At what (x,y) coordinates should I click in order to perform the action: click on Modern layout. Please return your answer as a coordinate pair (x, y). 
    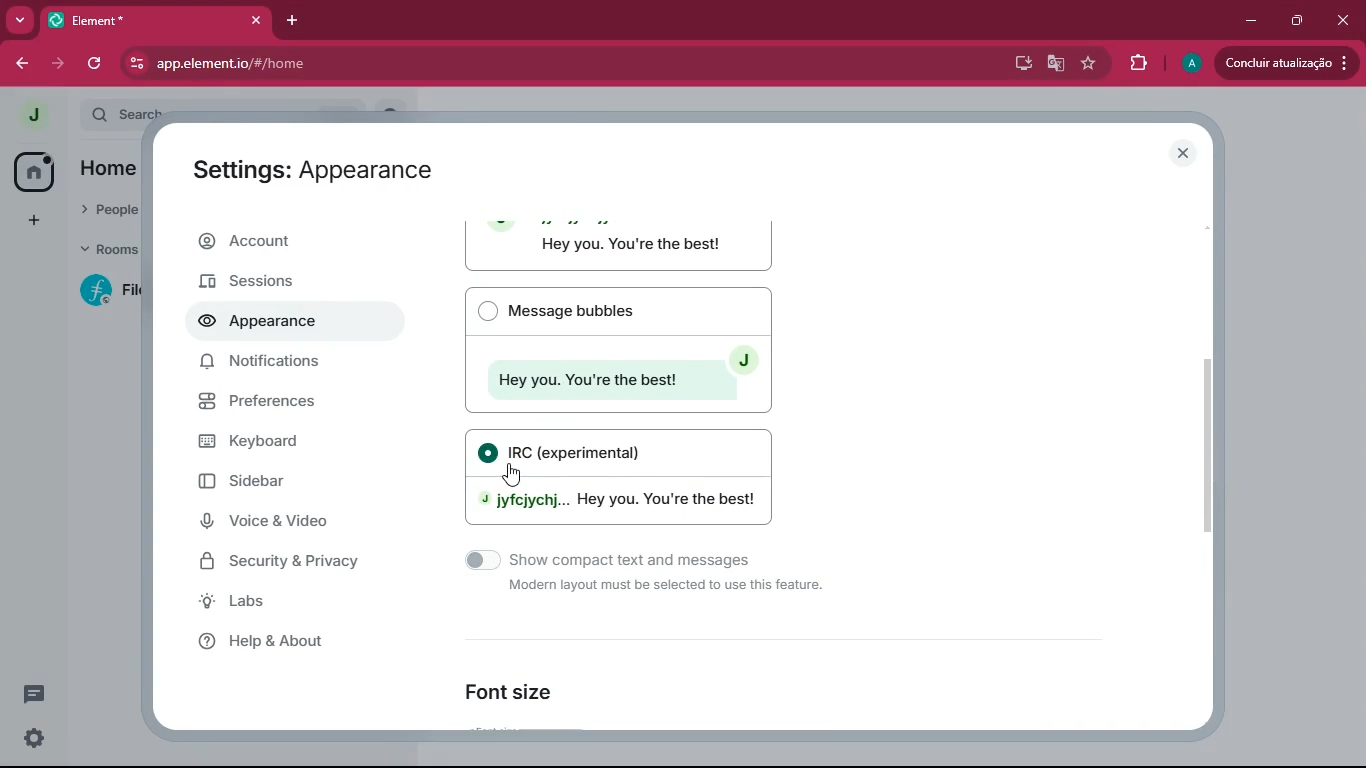
    Looking at the image, I should click on (621, 246).